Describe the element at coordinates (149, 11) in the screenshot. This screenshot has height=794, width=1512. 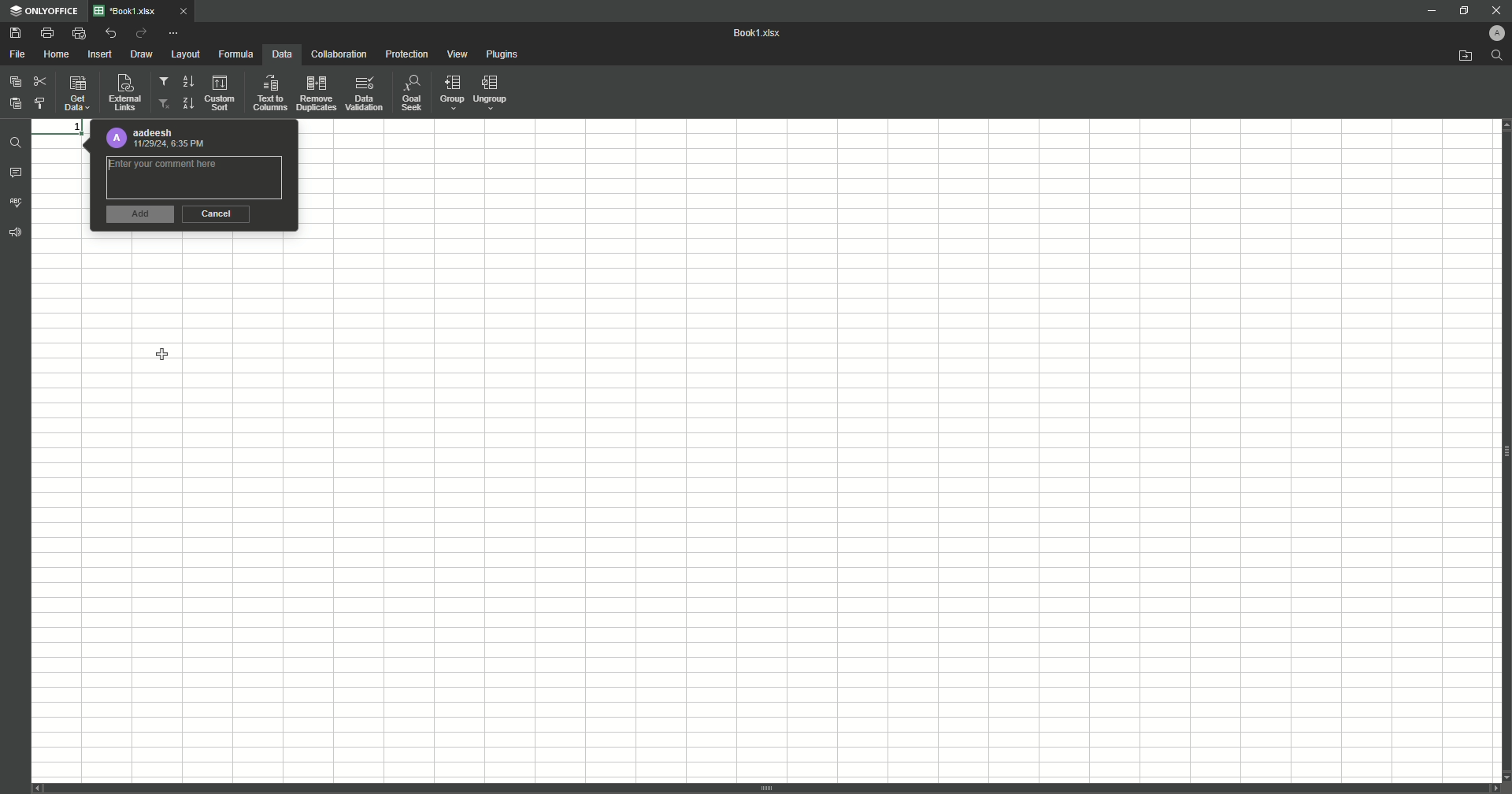
I see `Tab 1` at that location.